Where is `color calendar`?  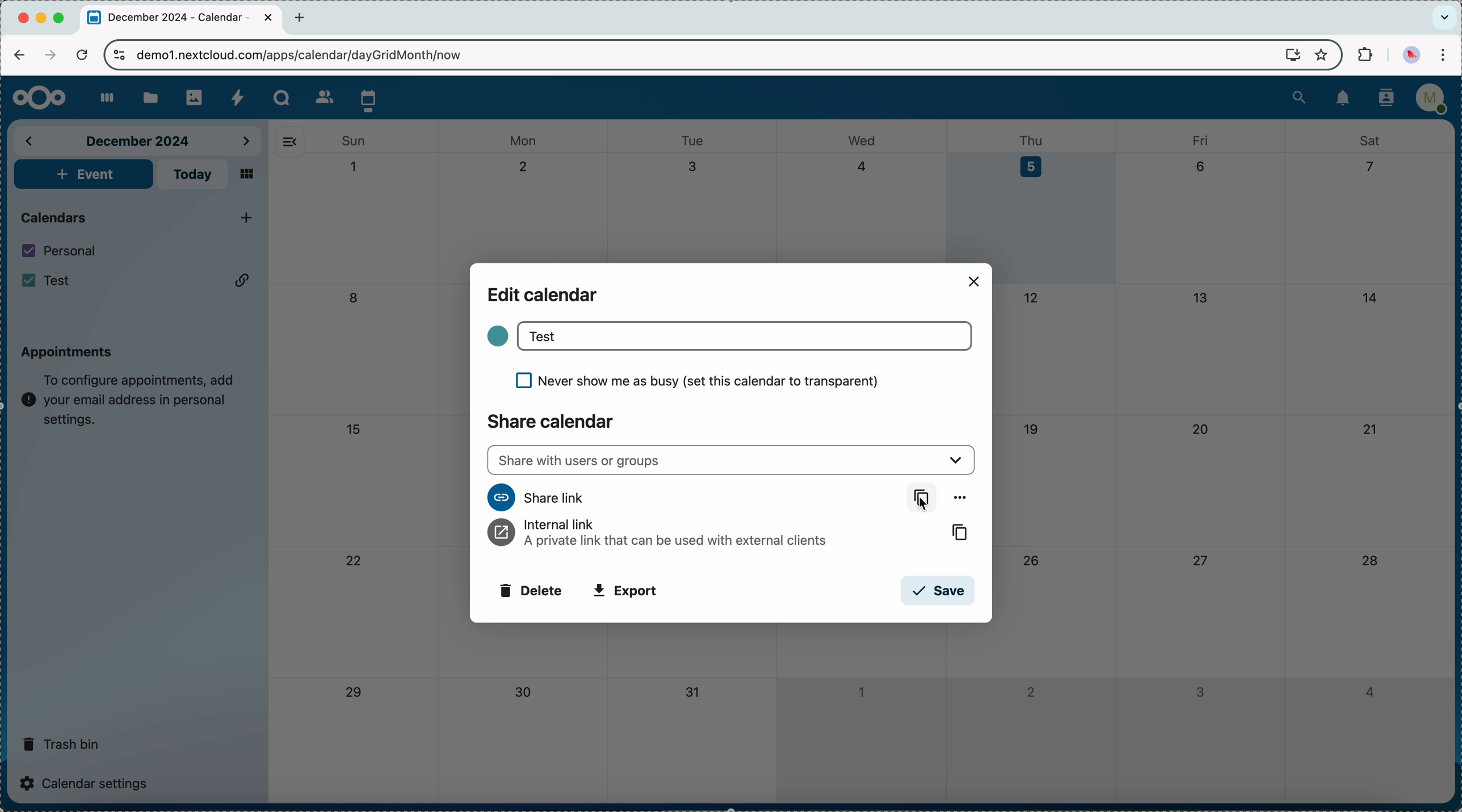 color calendar is located at coordinates (495, 336).